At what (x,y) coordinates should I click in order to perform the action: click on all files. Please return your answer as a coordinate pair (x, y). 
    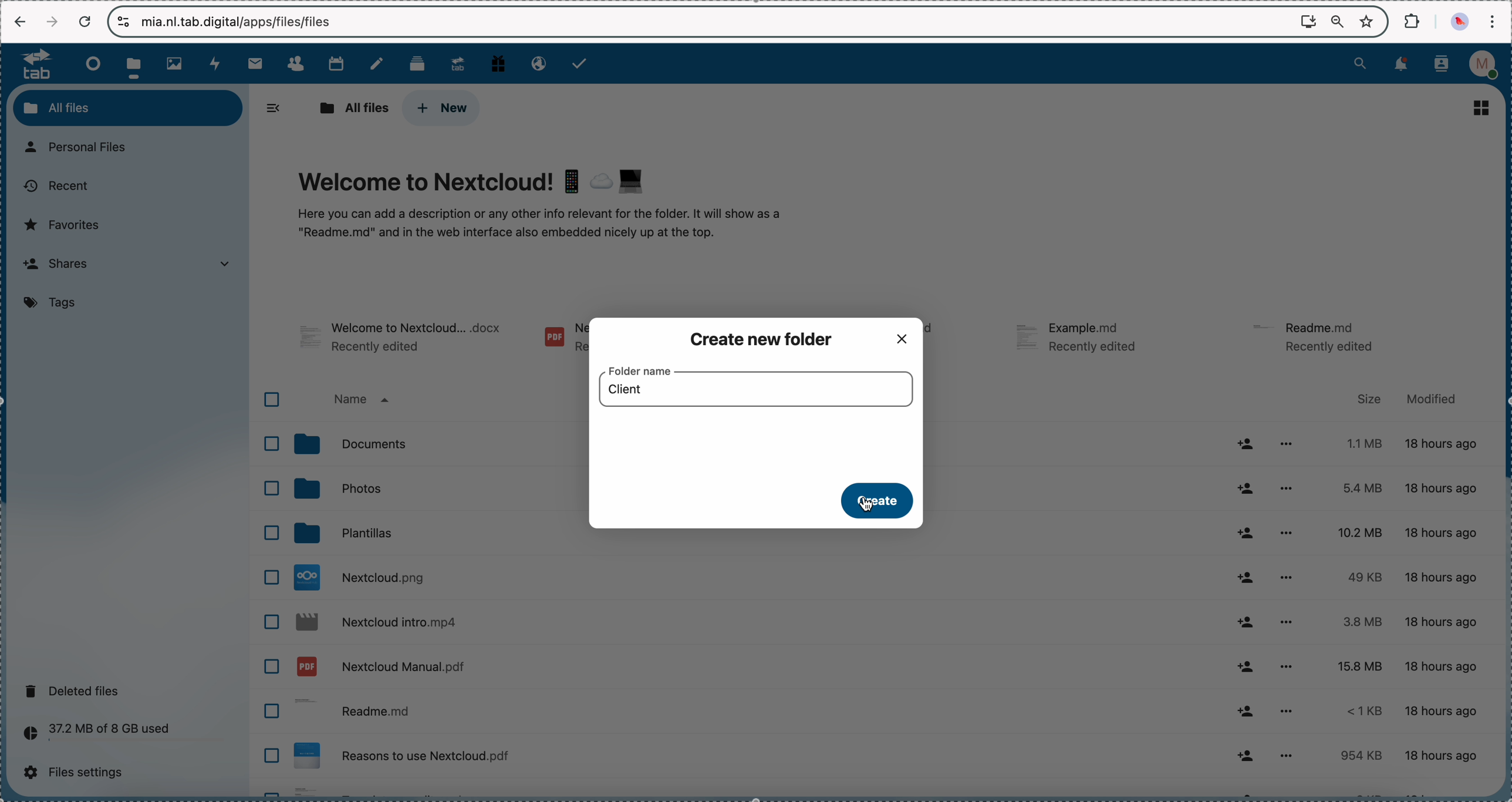
    Looking at the image, I should click on (128, 107).